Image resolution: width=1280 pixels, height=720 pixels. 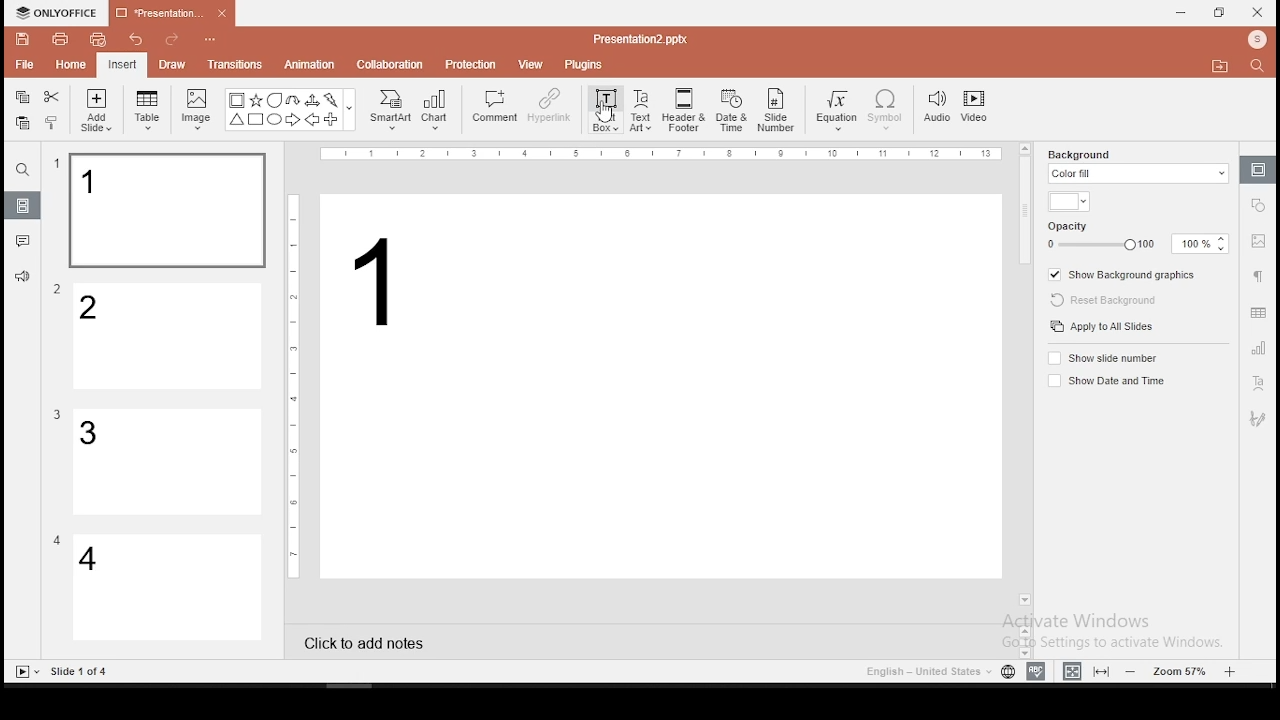 I want to click on symbol, so click(x=885, y=111).